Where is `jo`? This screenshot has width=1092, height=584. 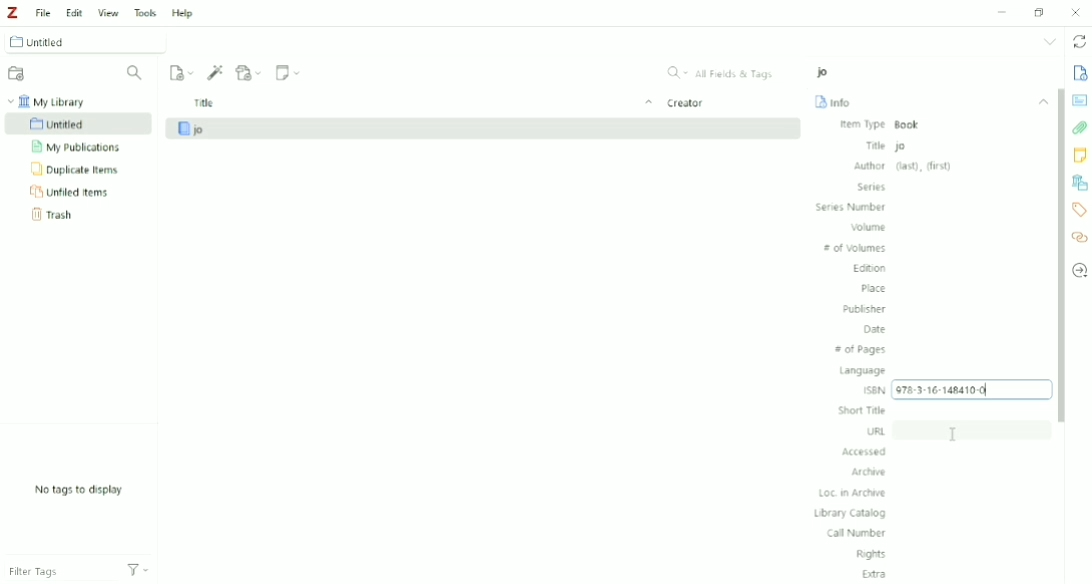
jo is located at coordinates (822, 72).